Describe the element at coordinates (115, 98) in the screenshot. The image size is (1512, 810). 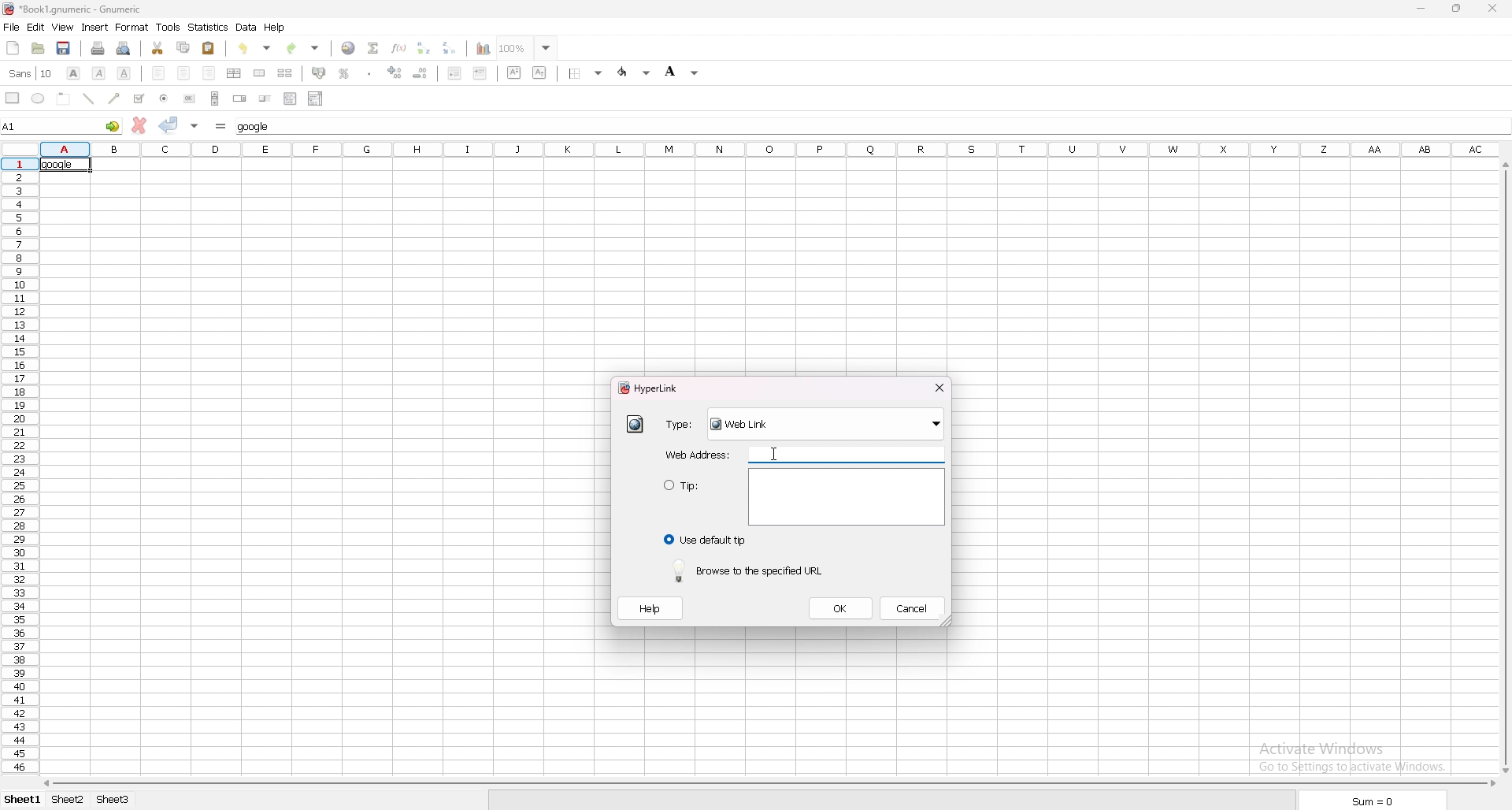
I see `arrowed line` at that location.